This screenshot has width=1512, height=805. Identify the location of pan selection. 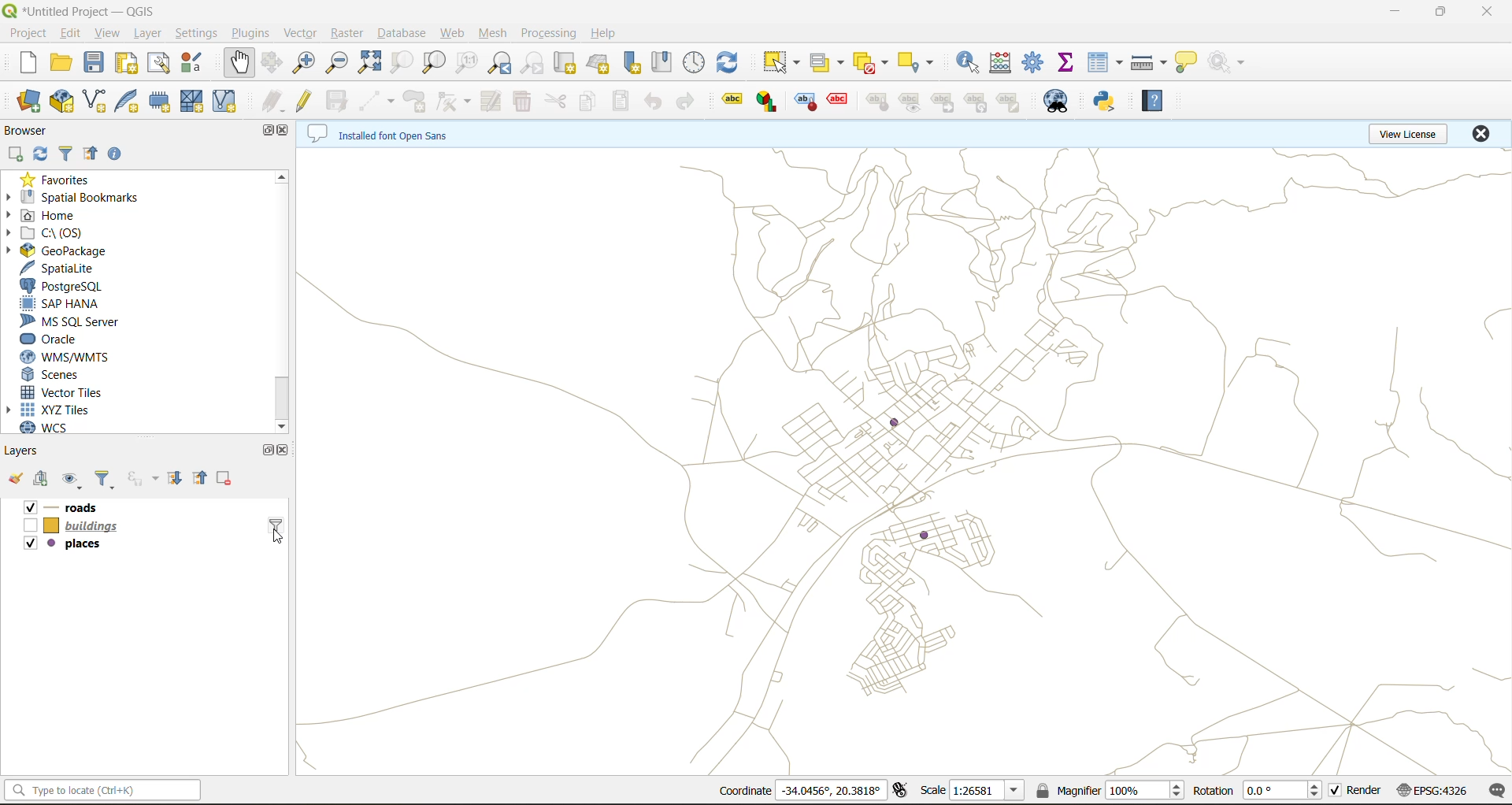
(270, 65).